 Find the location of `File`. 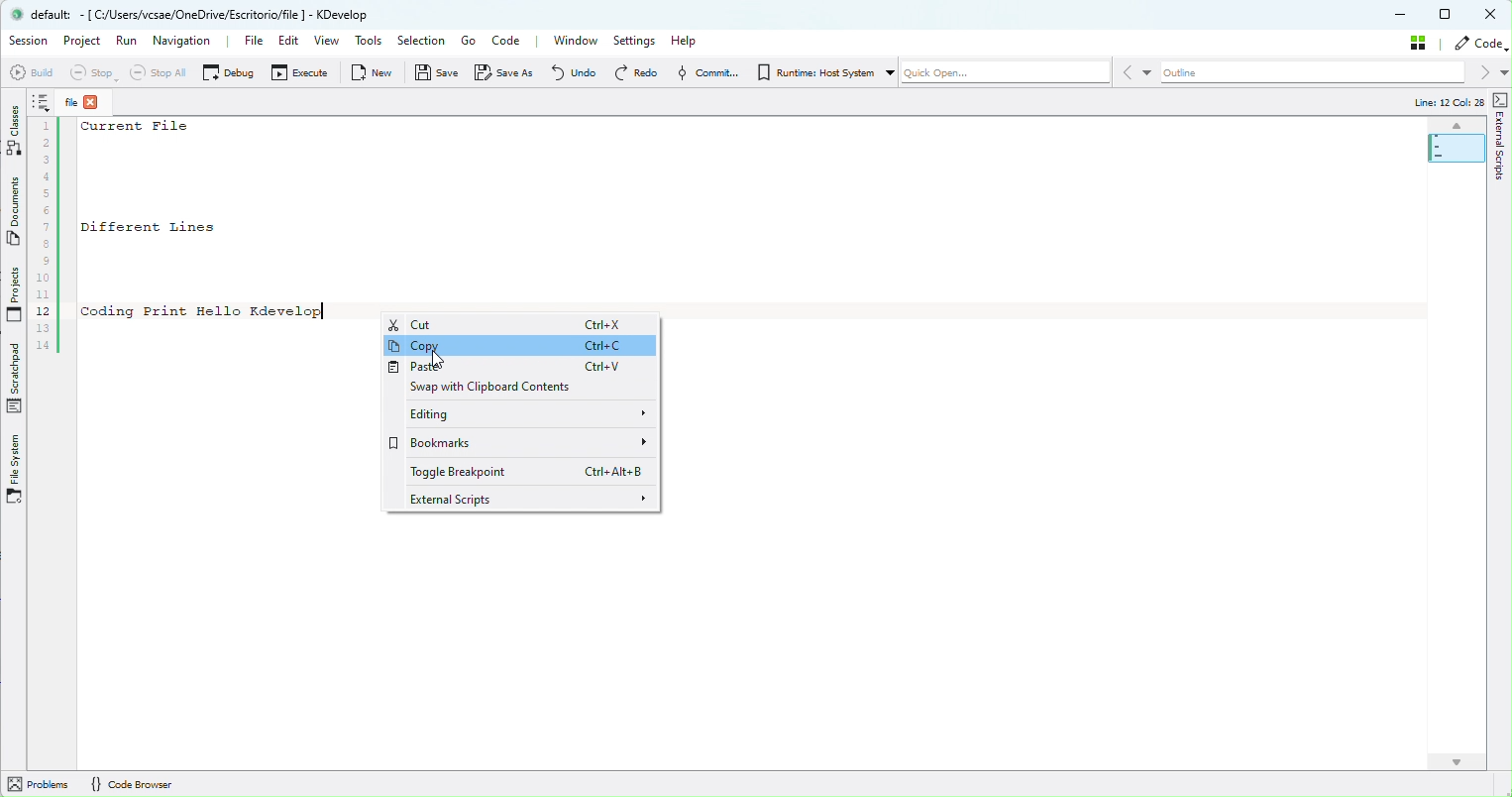

File is located at coordinates (260, 44).